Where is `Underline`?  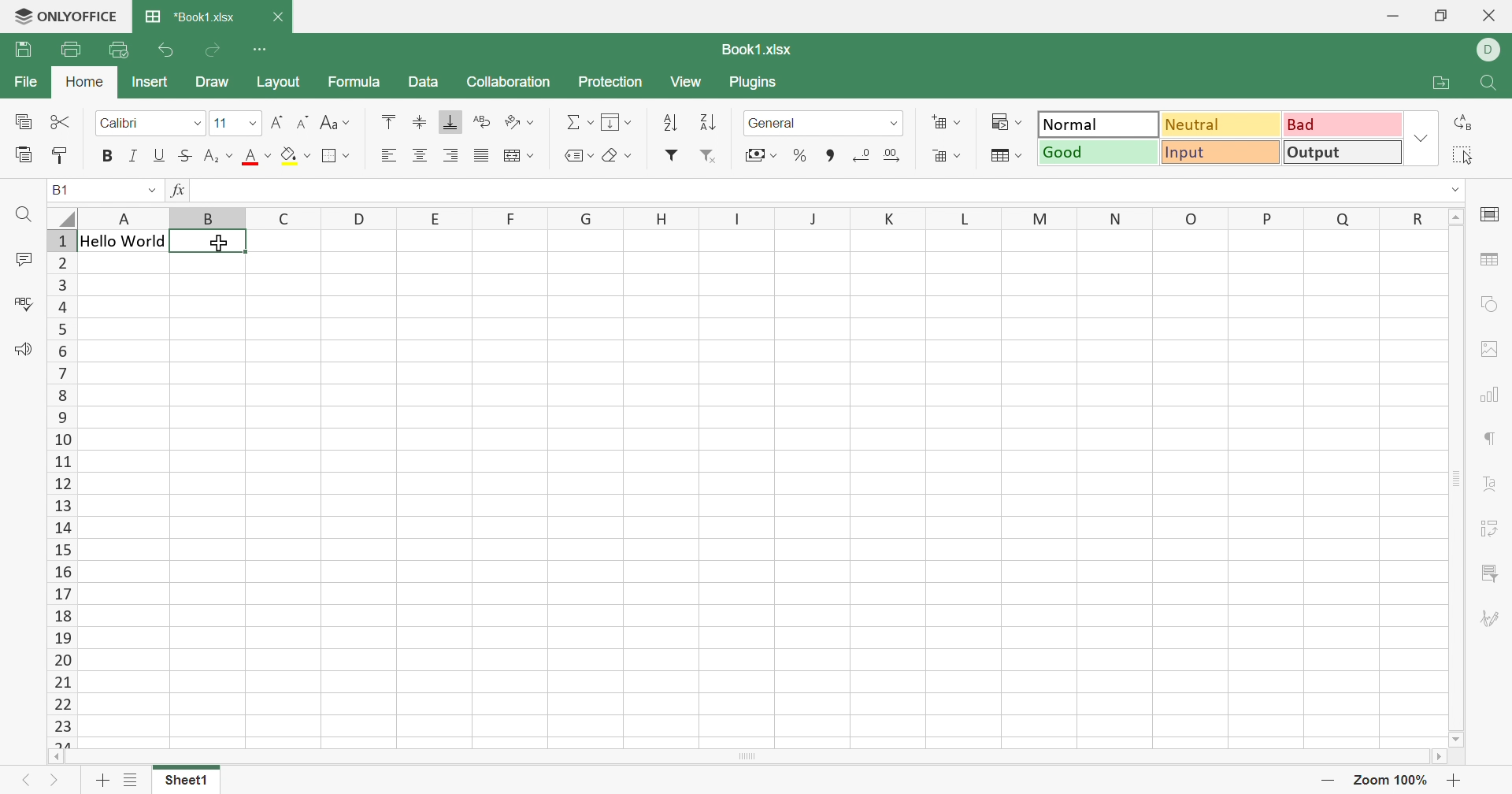 Underline is located at coordinates (160, 155).